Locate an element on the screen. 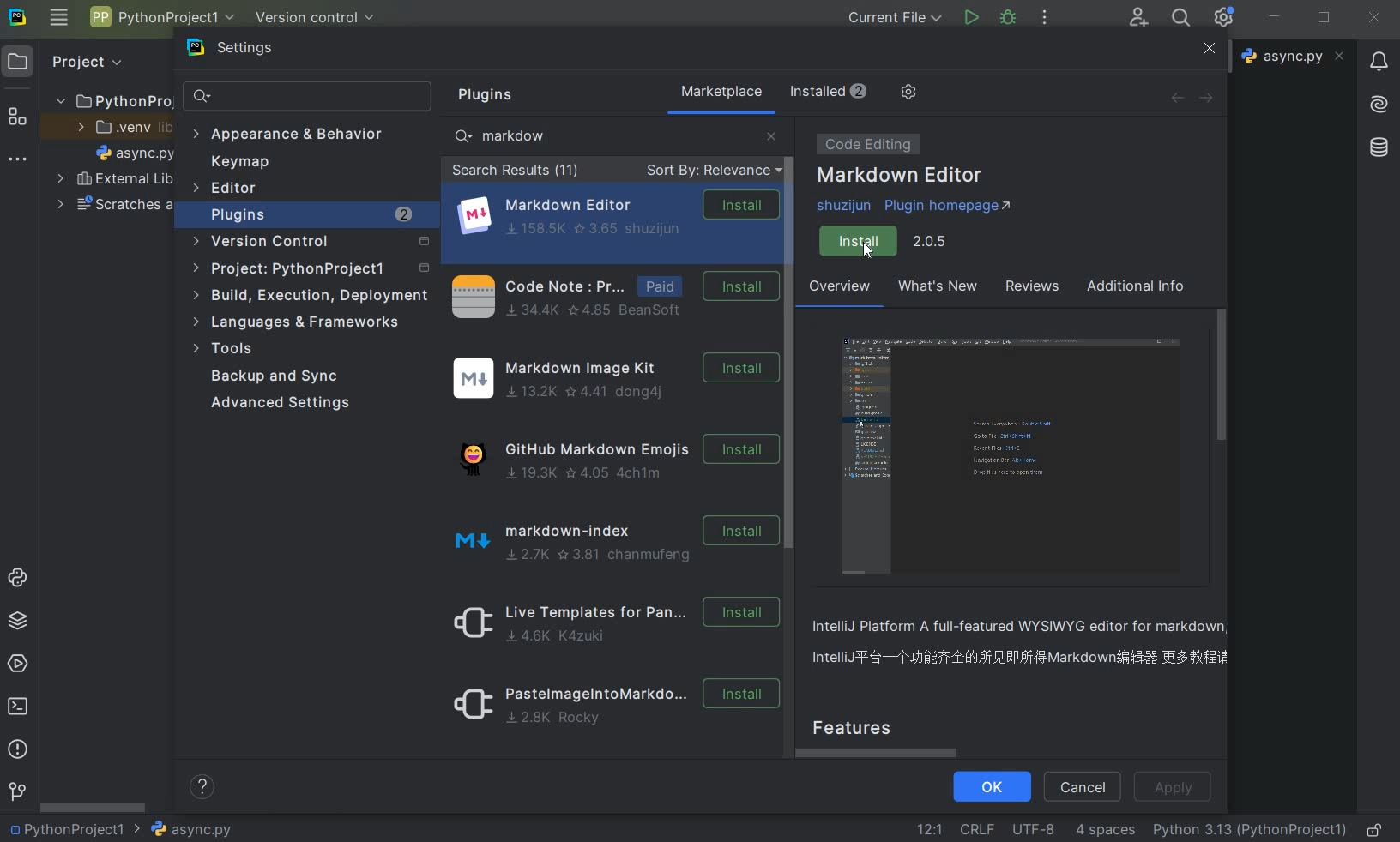 The image size is (1400, 842). languages & frameworks is located at coordinates (305, 322).